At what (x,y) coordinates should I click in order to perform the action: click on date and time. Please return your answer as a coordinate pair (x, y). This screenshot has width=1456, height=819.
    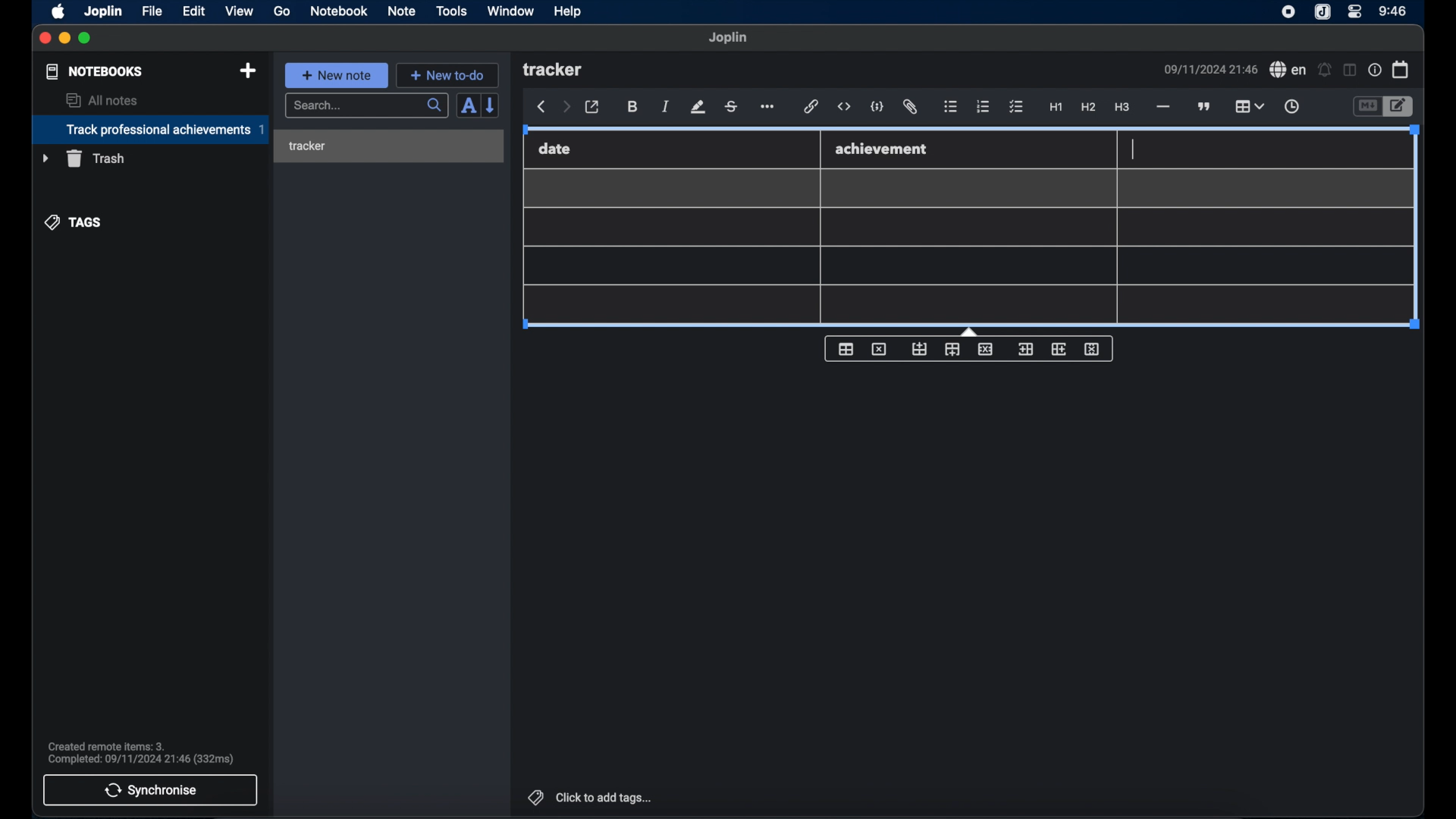
    Looking at the image, I should click on (1210, 69).